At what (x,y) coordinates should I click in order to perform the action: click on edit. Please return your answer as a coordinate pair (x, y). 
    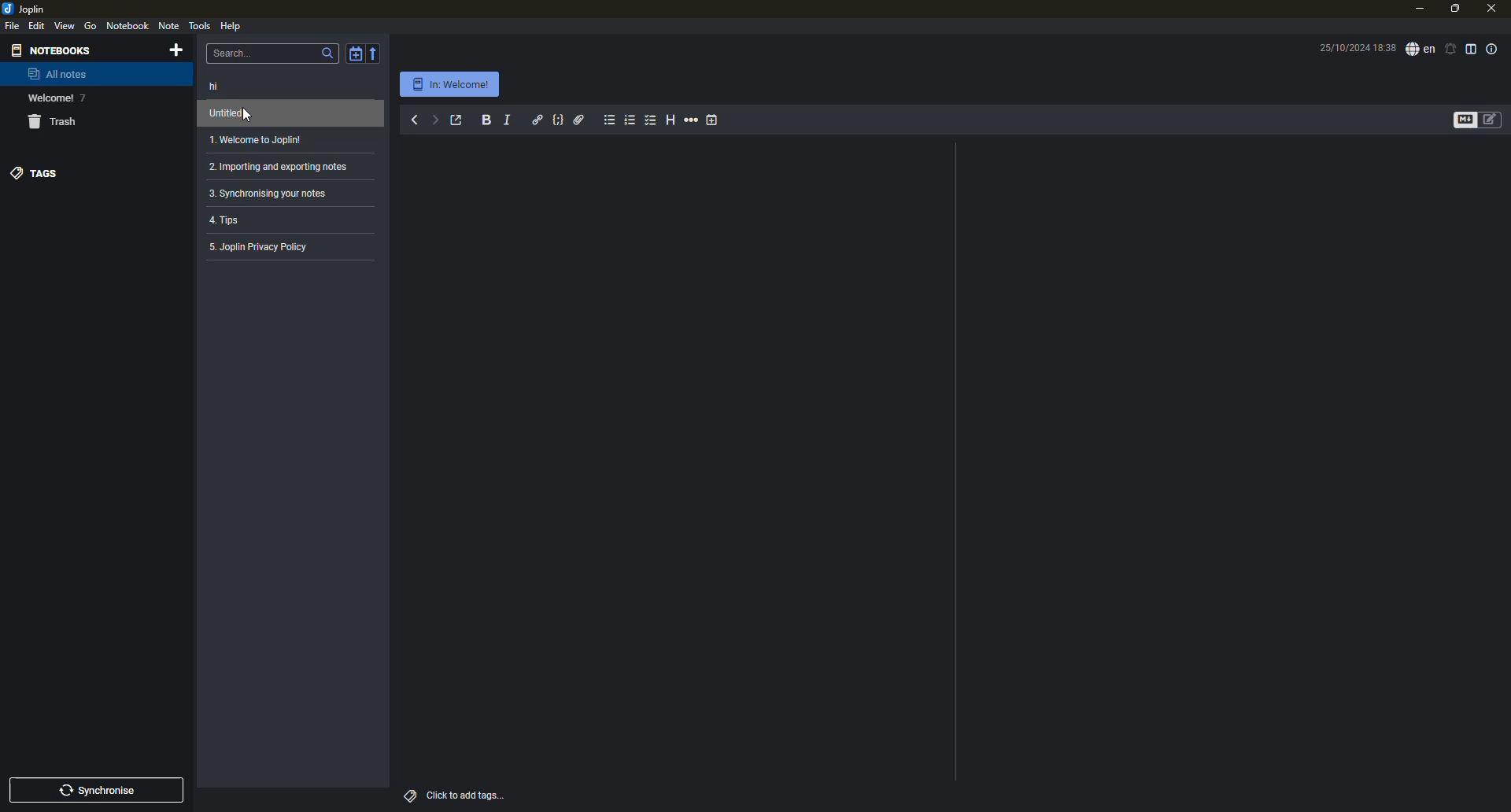
    Looking at the image, I should click on (36, 26).